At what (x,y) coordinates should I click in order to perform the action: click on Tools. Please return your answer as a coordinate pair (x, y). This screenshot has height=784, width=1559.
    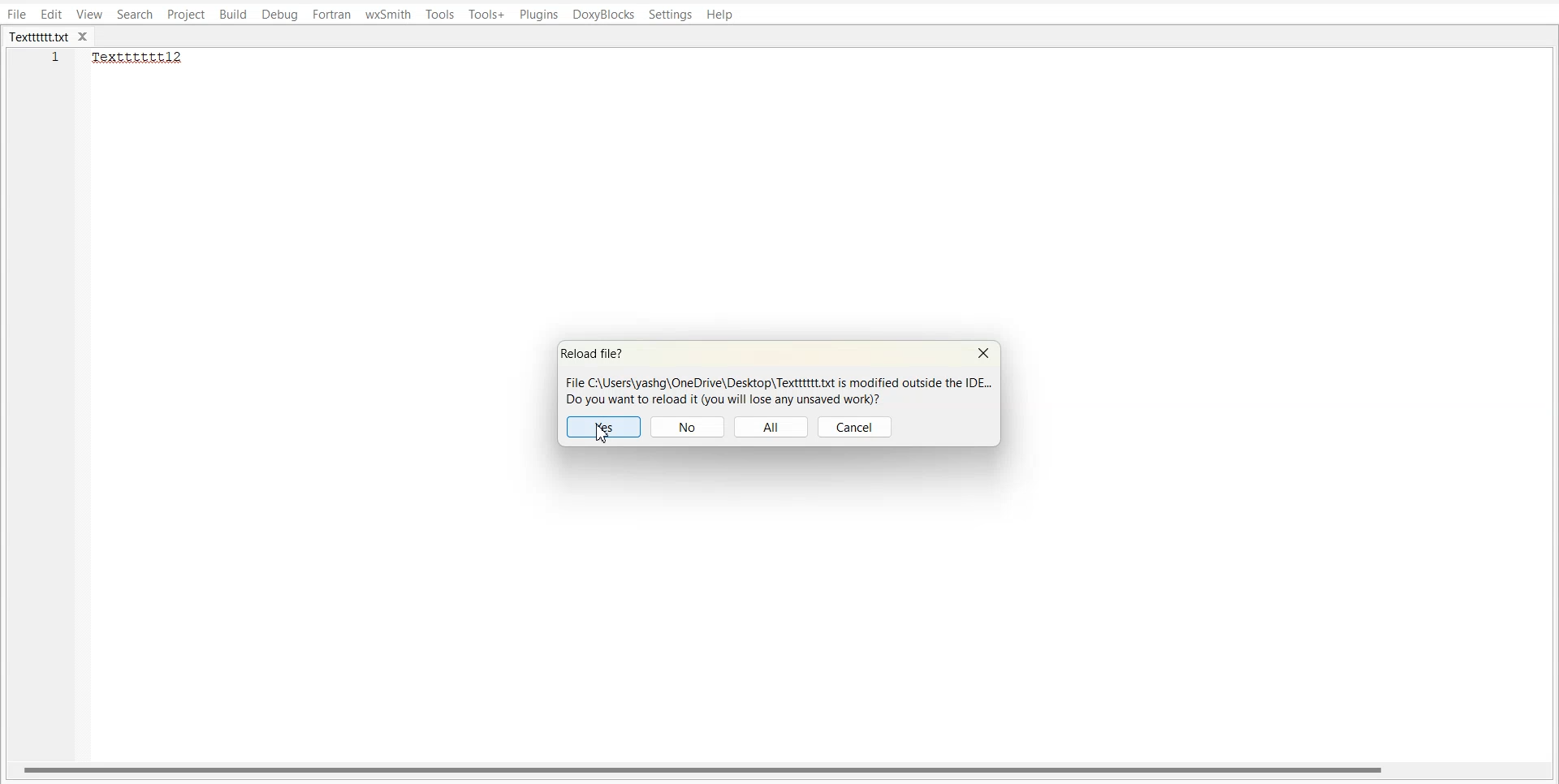
    Looking at the image, I should click on (440, 14).